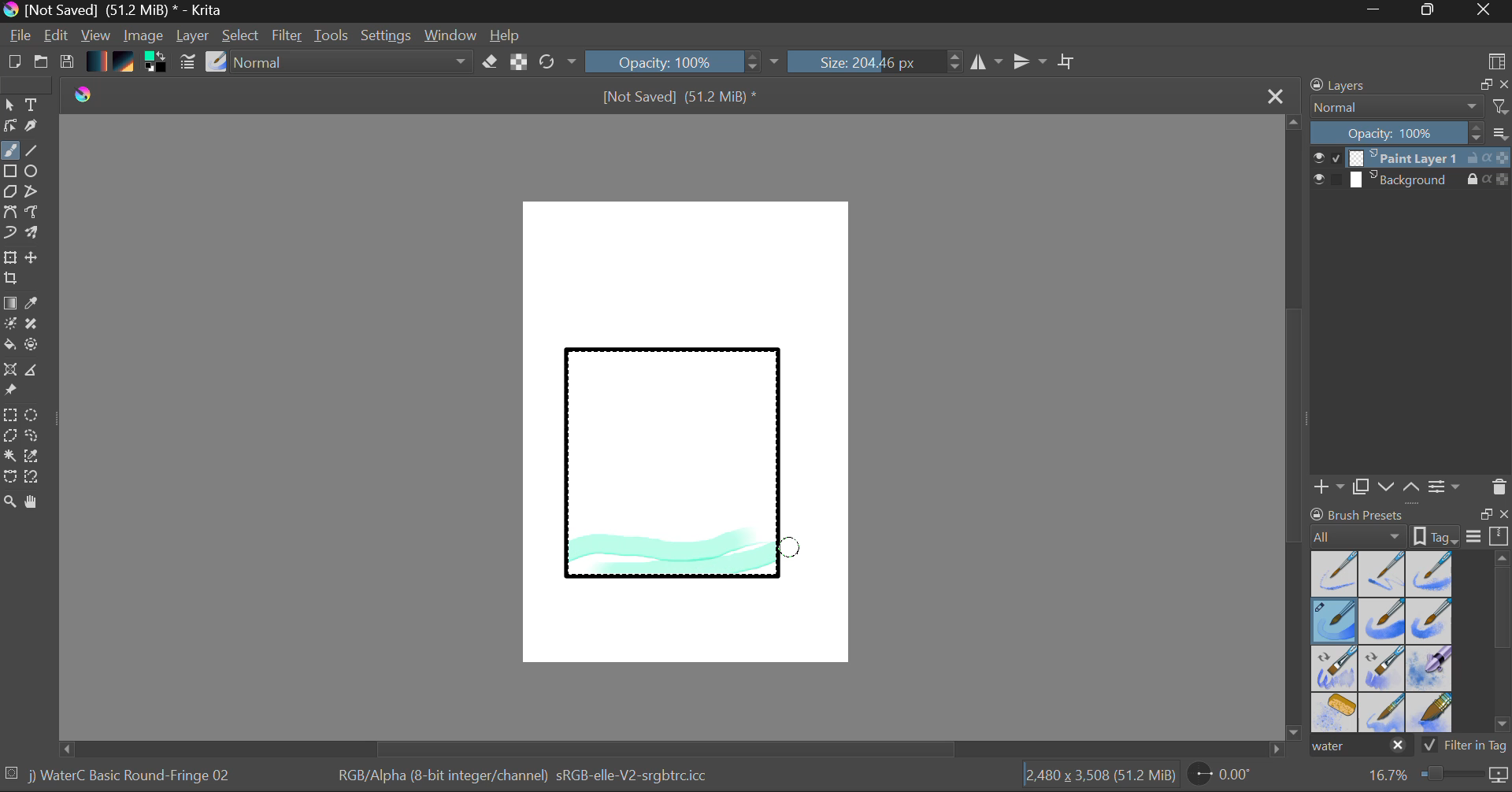 This screenshot has height=792, width=1512. What do you see at coordinates (37, 505) in the screenshot?
I see `Pan` at bounding box center [37, 505].